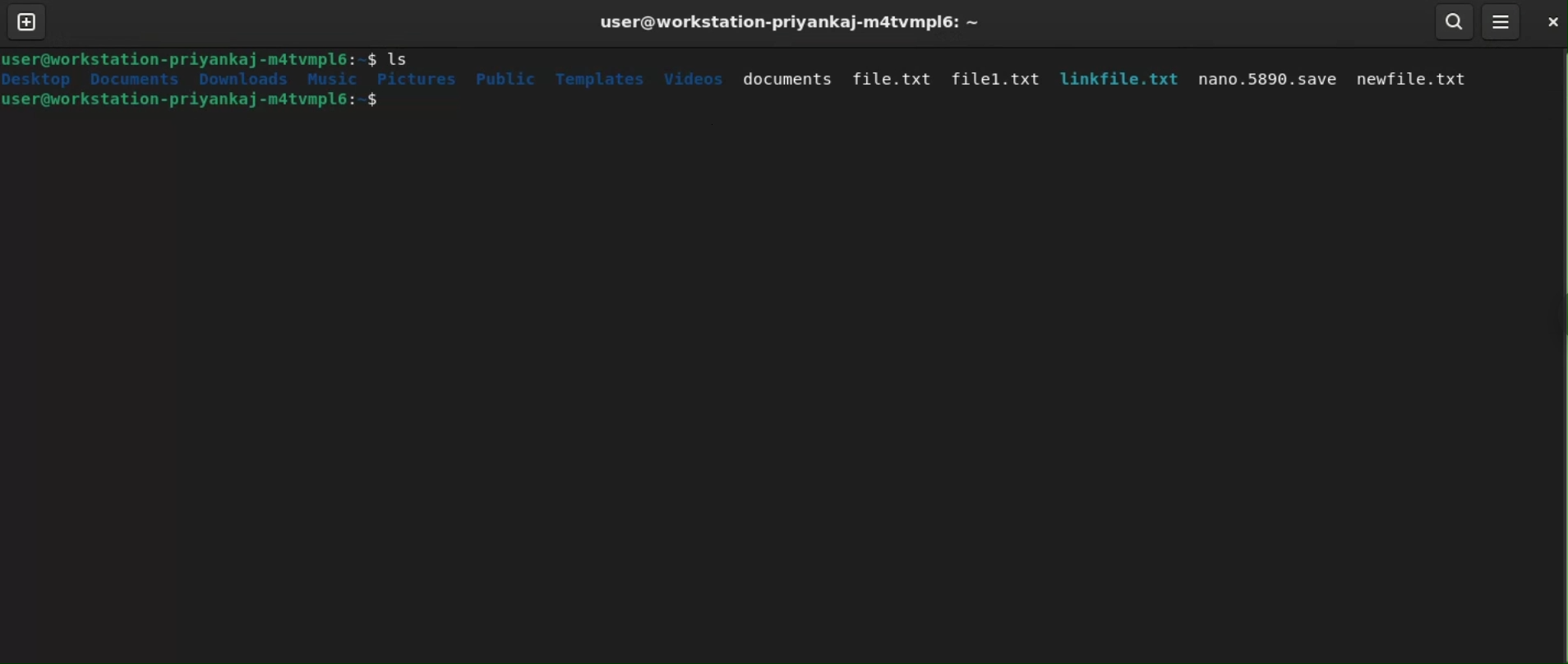 The width and height of the screenshot is (1568, 664). Describe the element at coordinates (786, 22) in the screenshot. I see `user@workstation-priyankaj-m4tvmpl6: ~` at that location.